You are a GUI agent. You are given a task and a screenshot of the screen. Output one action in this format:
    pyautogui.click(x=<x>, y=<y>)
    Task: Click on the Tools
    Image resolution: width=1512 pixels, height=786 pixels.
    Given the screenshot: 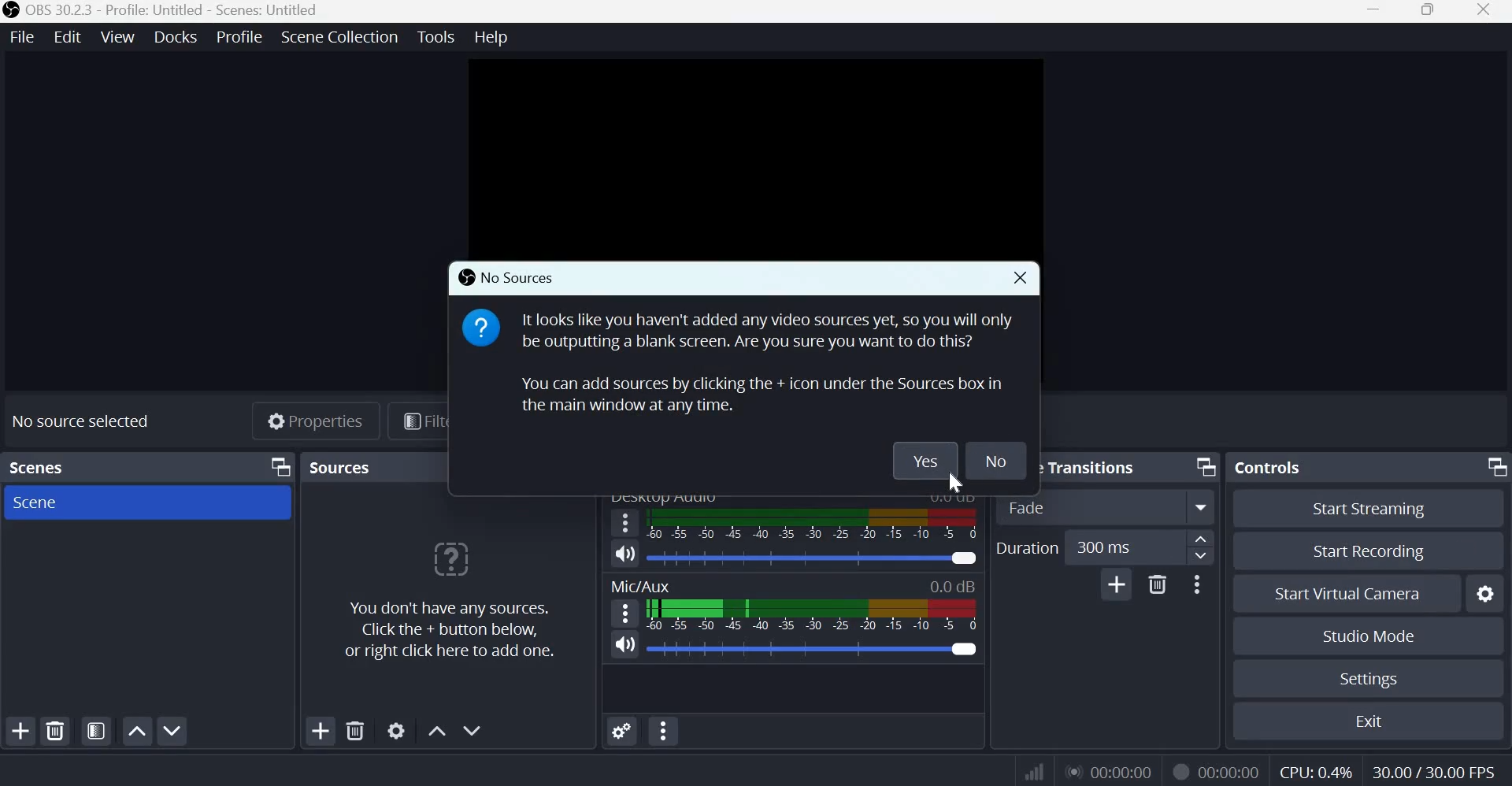 What is the action you would take?
    pyautogui.click(x=435, y=37)
    